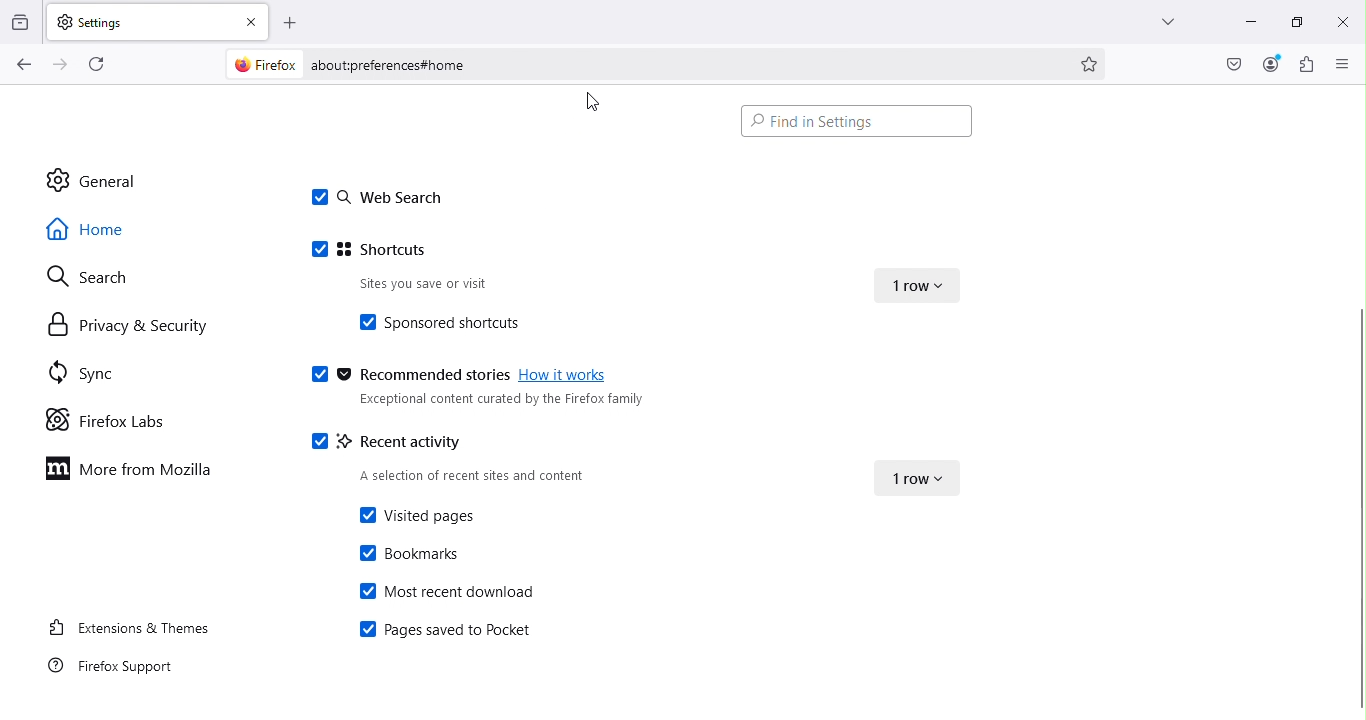 The width and height of the screenshot is (1366, 720). I want to click on Pages saved to pocket, so click(444, 632).